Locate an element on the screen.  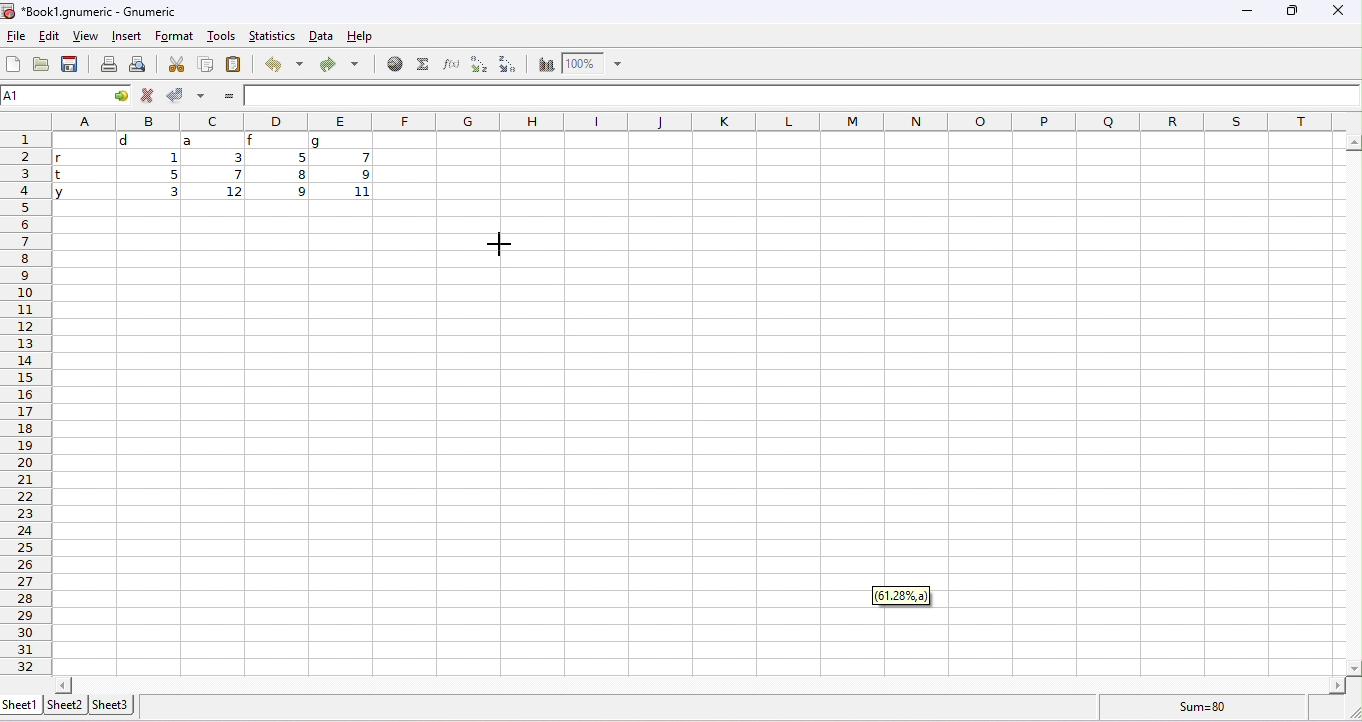
horizontal slider is located at coordinates (699, 686).